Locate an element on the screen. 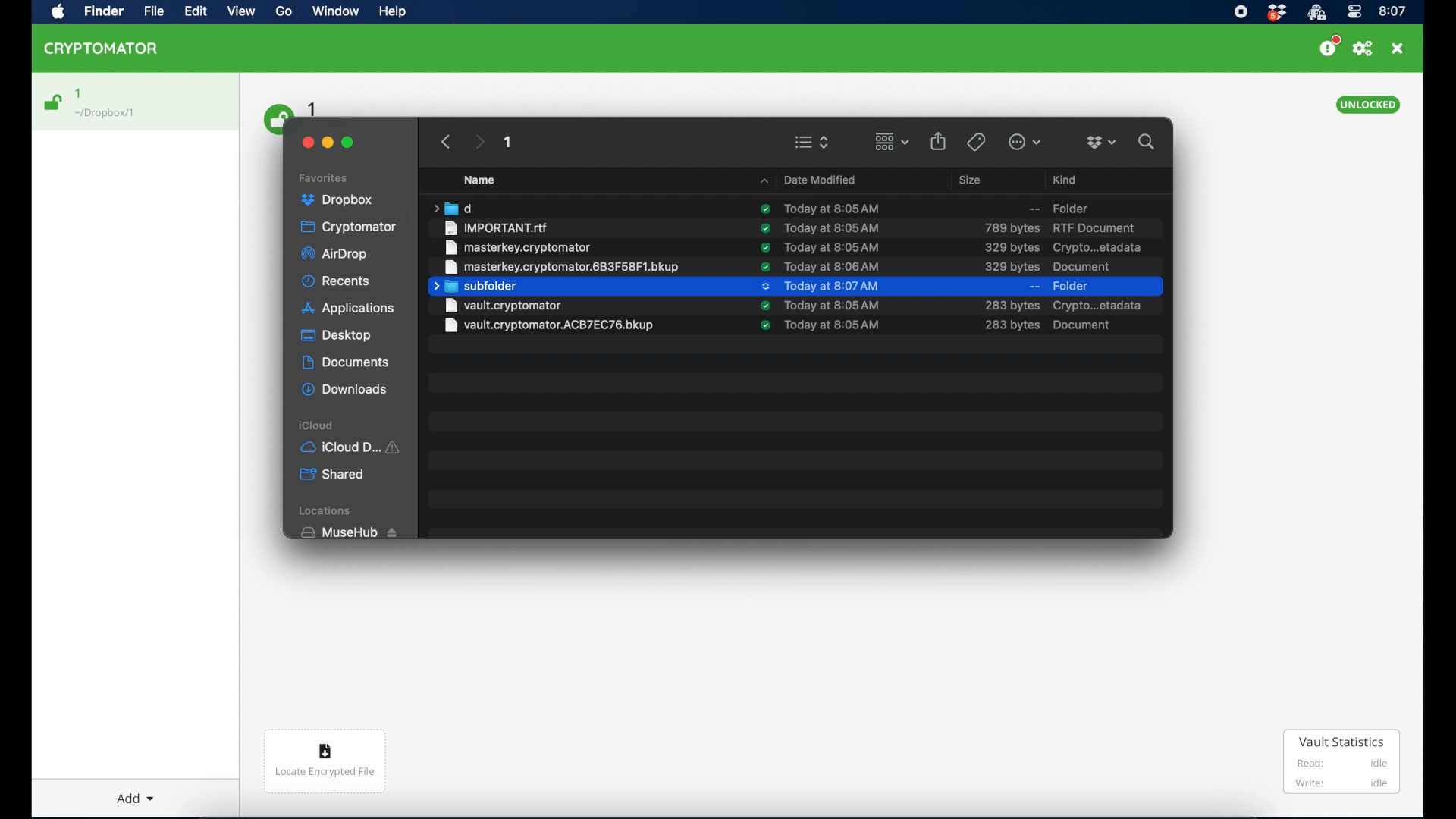 The image size is (1456, 819). rtf document is located at coordinates (1097, 227).